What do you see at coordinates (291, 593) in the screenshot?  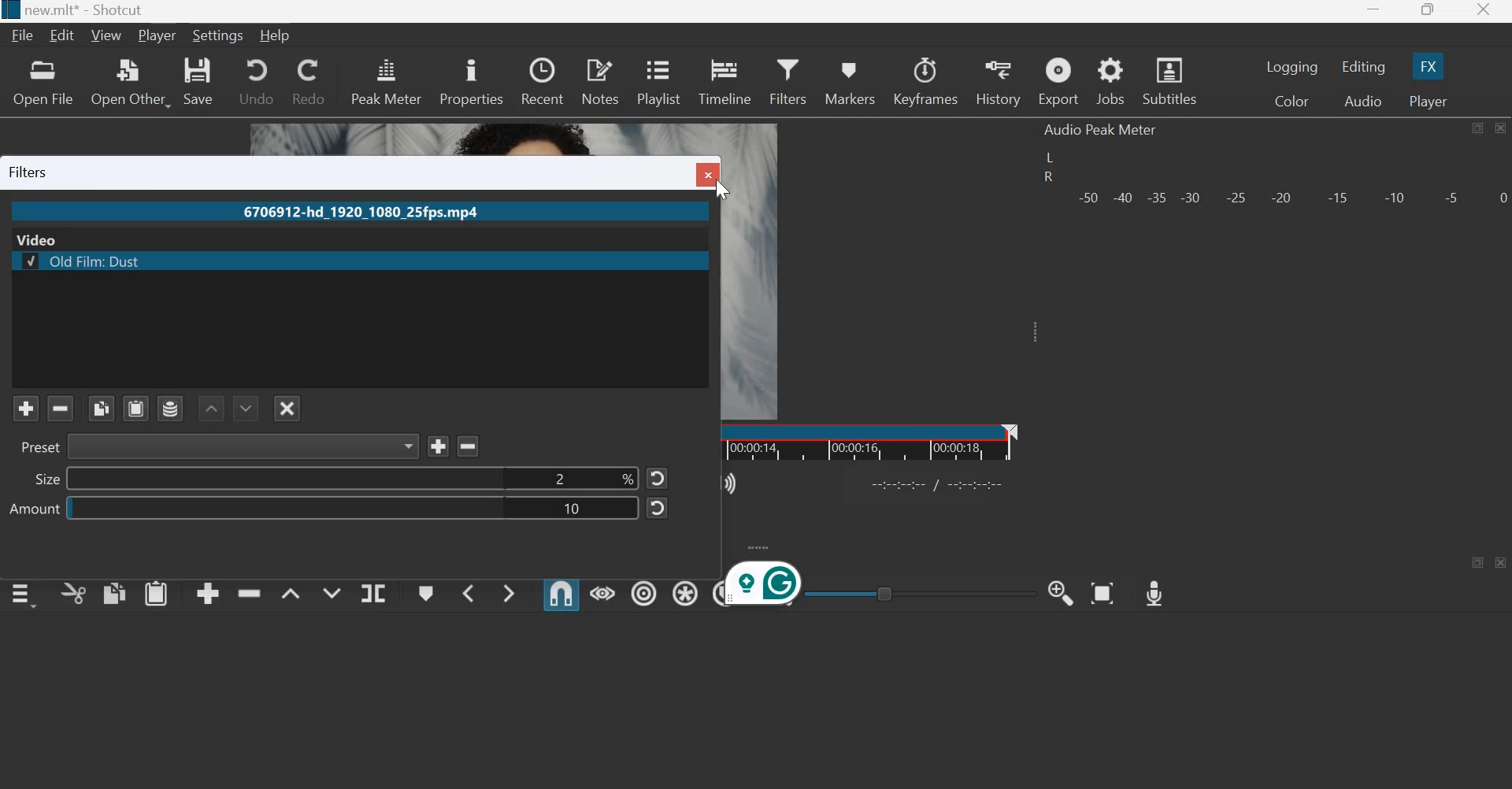 I see `Lift` at bounding box center [291, 593].